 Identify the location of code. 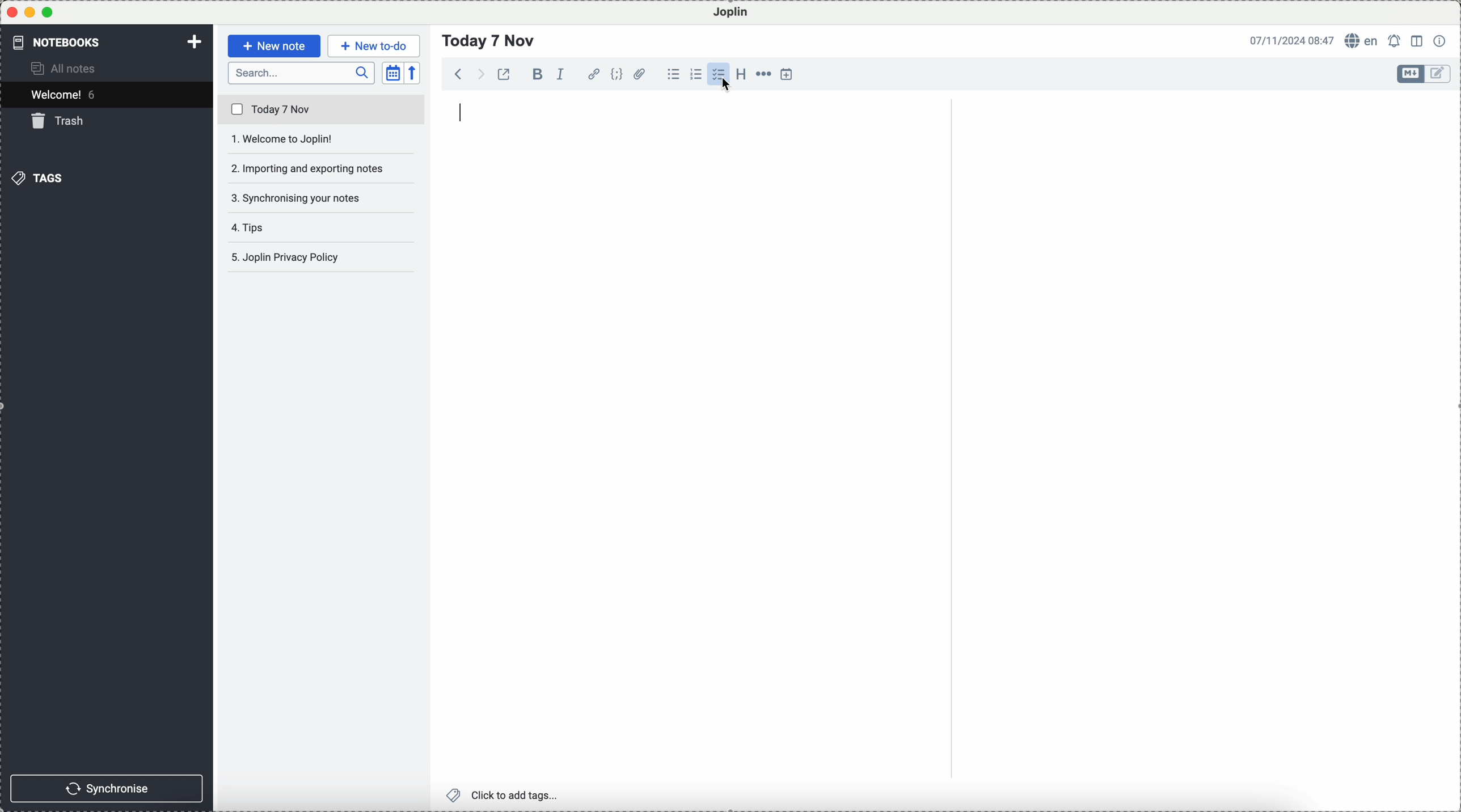
(617, 74).